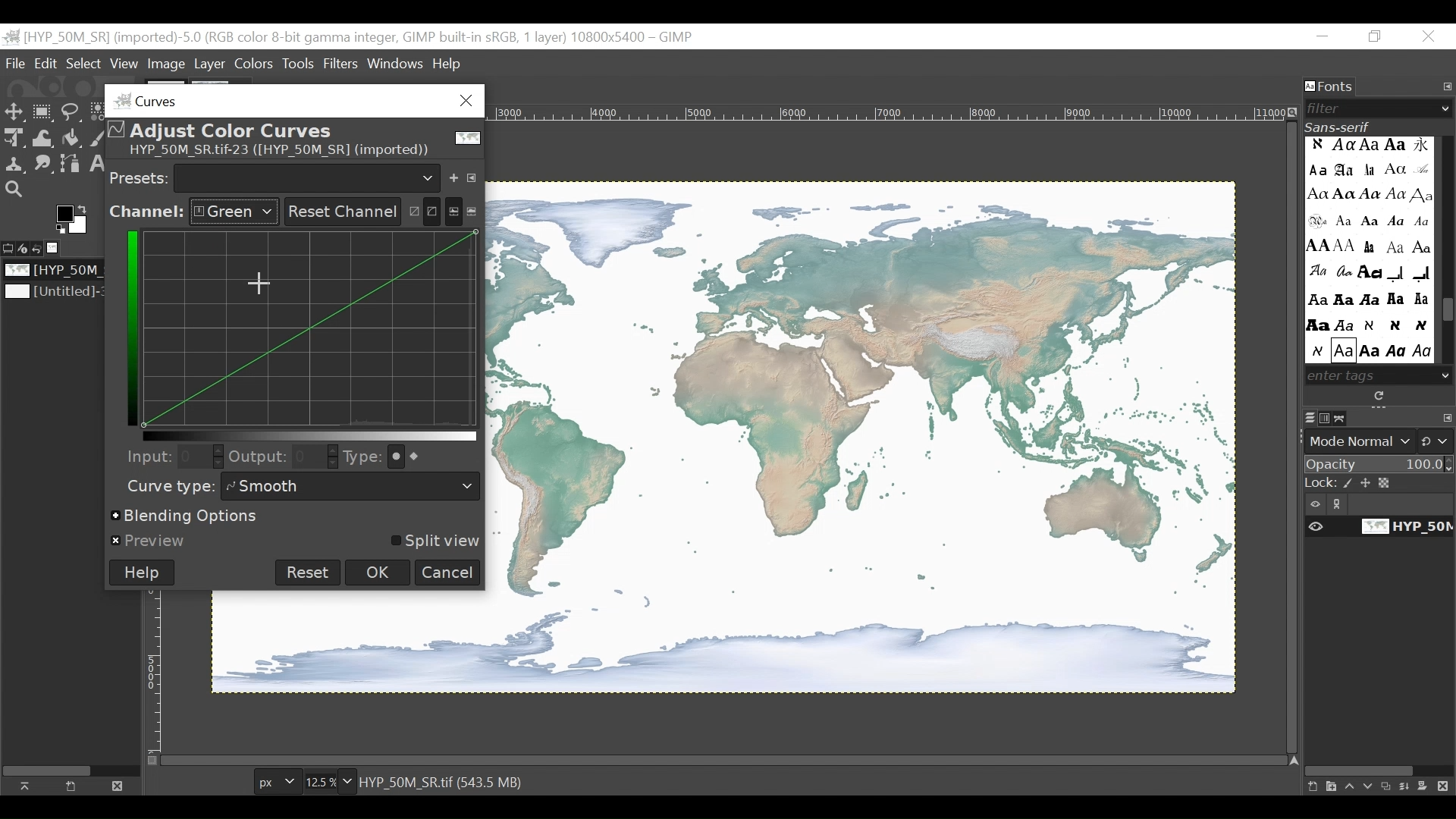  What do you see at coordinates (70, 140) in the screenshot?
I see `Fill` at bounding box center [70, 140].